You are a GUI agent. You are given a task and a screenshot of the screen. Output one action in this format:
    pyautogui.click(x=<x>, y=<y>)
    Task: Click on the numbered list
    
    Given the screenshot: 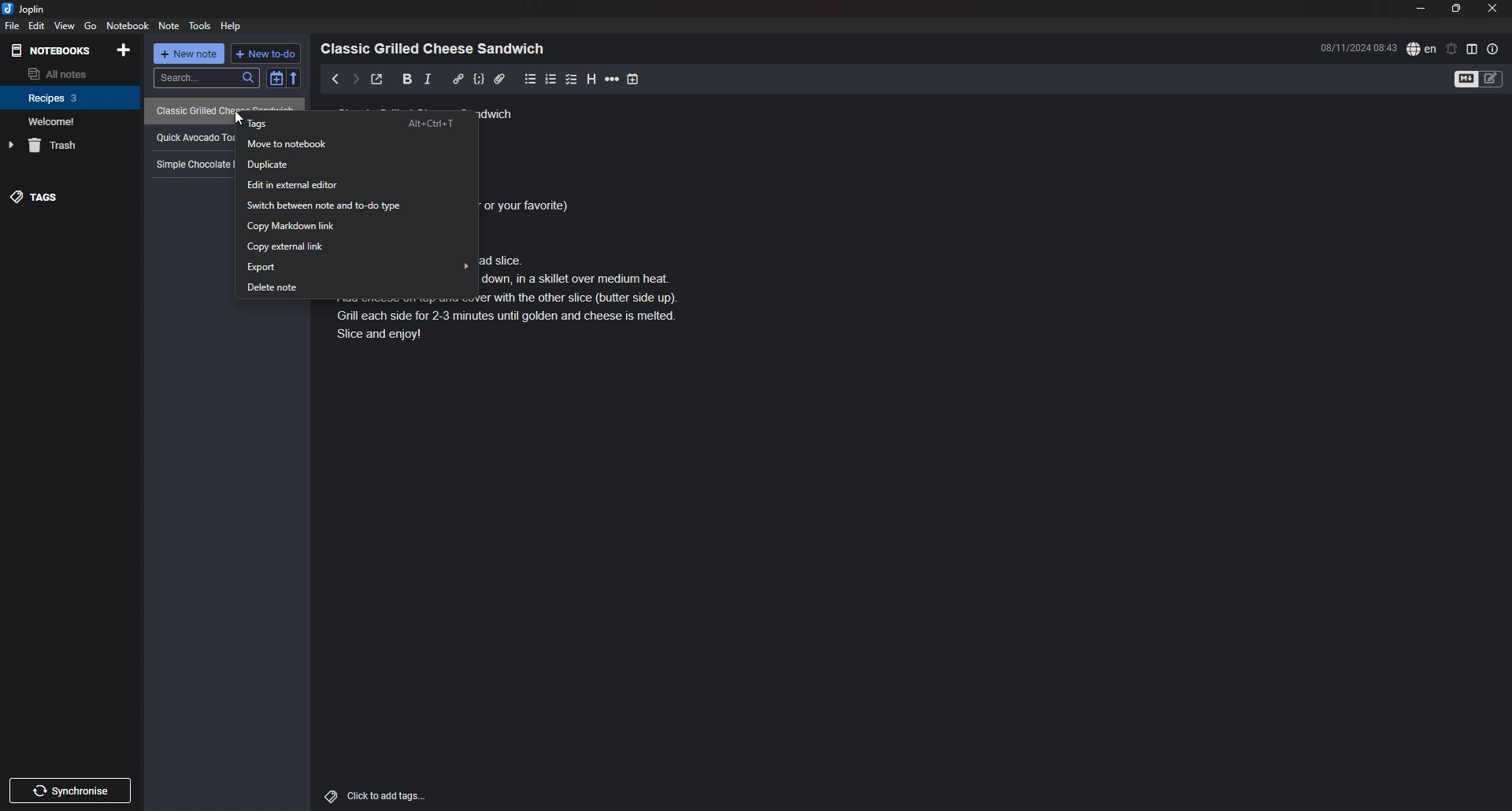 What is the action you would take?
    pyautogui.click(x=552, y=80)
    